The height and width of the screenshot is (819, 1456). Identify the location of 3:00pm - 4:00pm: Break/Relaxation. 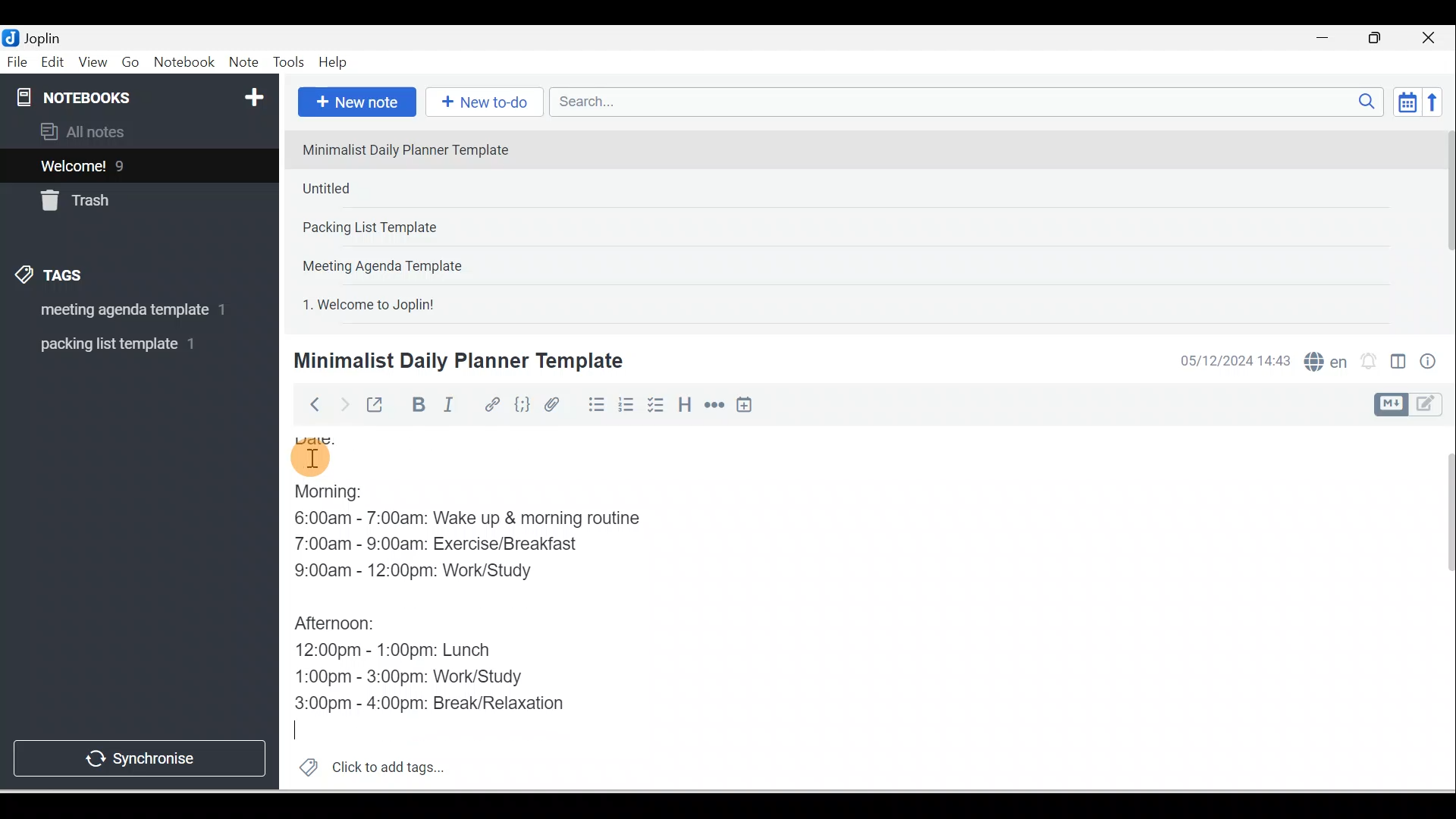
(462, 703).